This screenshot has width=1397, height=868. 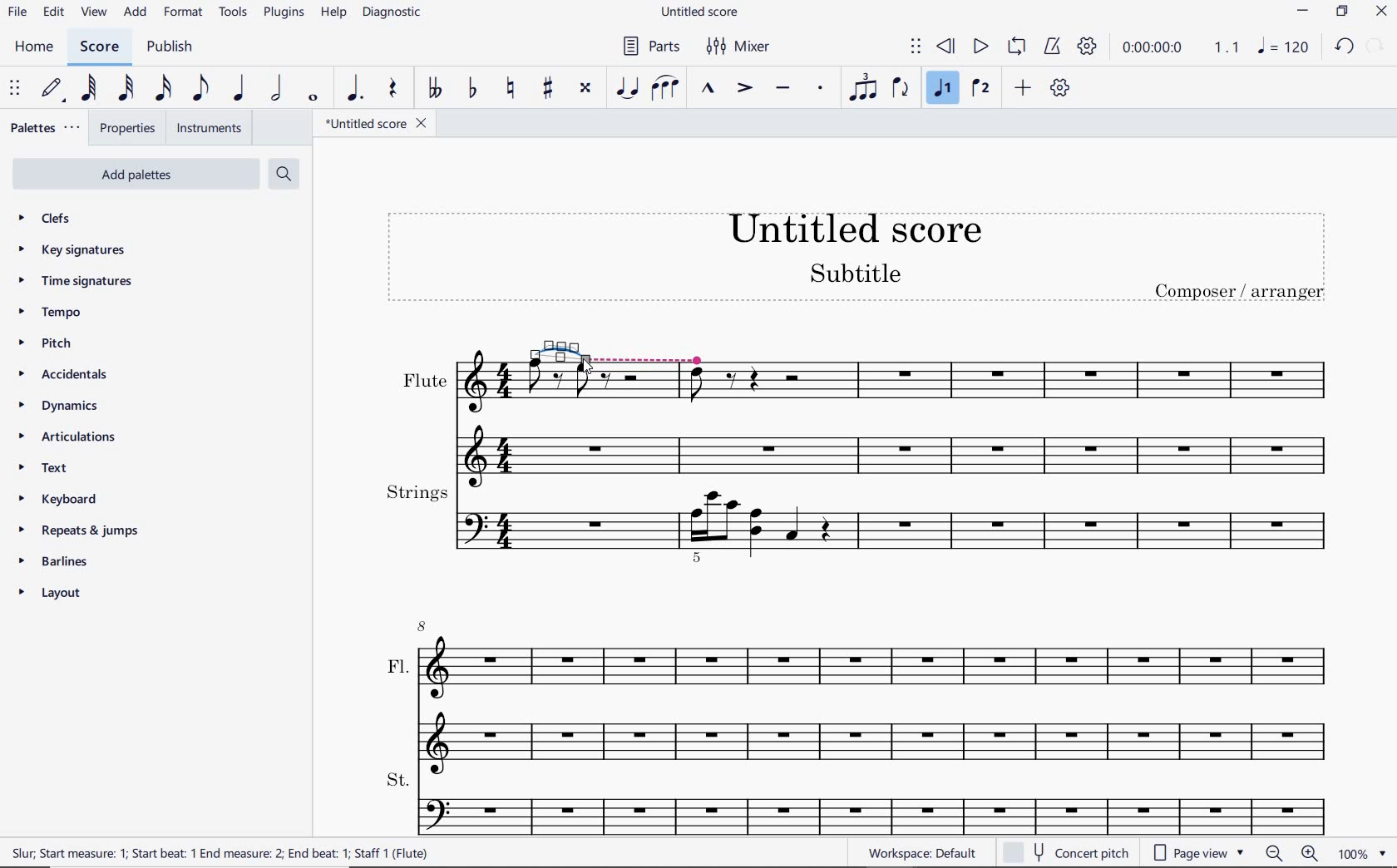 What do you see at coordinates (862, 525) in the screenshot?
I see `Strings` at bounding box center [862, 525].